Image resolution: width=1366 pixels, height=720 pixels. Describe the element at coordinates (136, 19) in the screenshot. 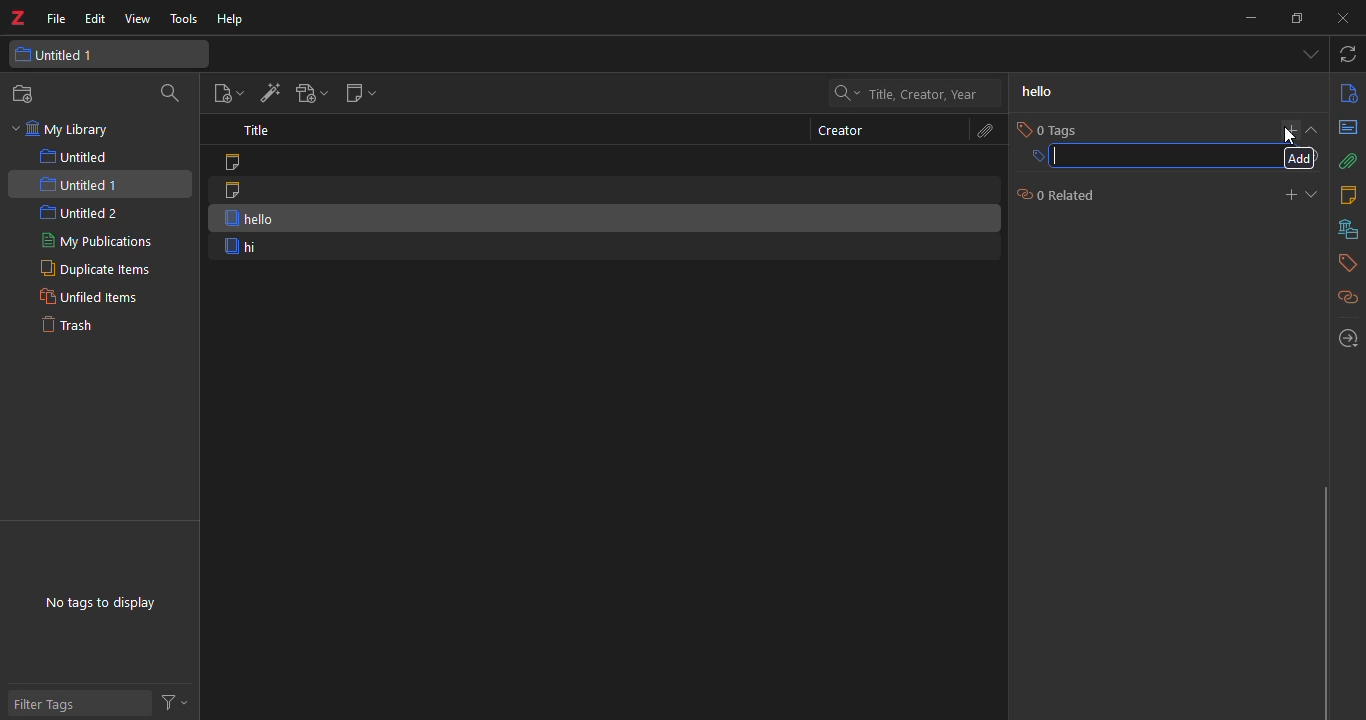

I see `view` at that location.